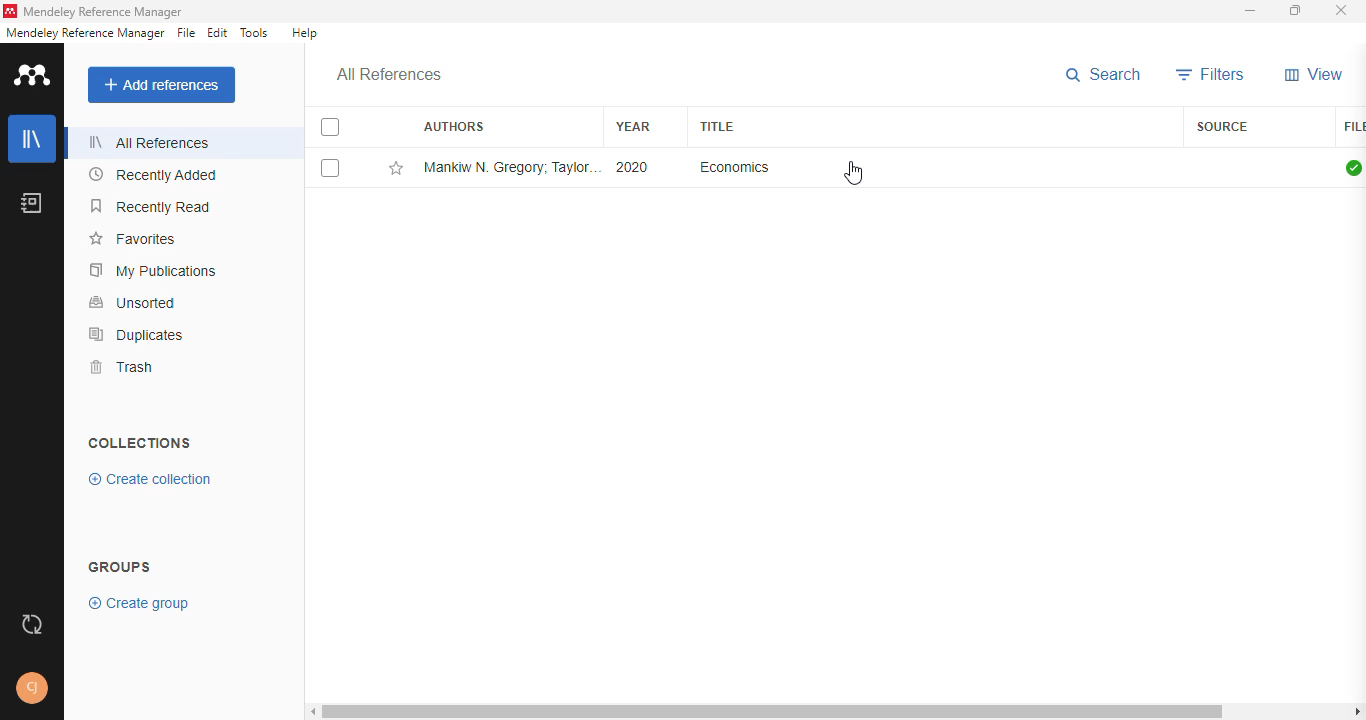 This screenshot has width=1366, height=720. I want to click on source, so click(1222, 127).